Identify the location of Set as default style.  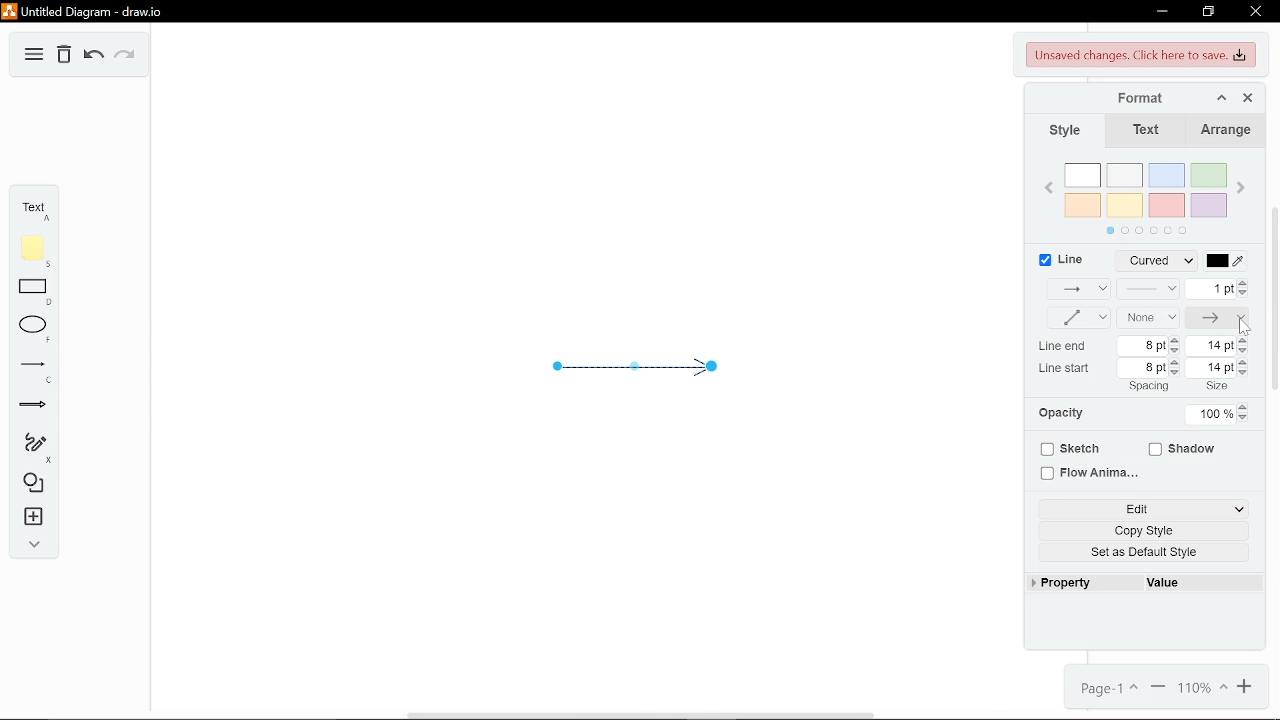
(1142, 552).